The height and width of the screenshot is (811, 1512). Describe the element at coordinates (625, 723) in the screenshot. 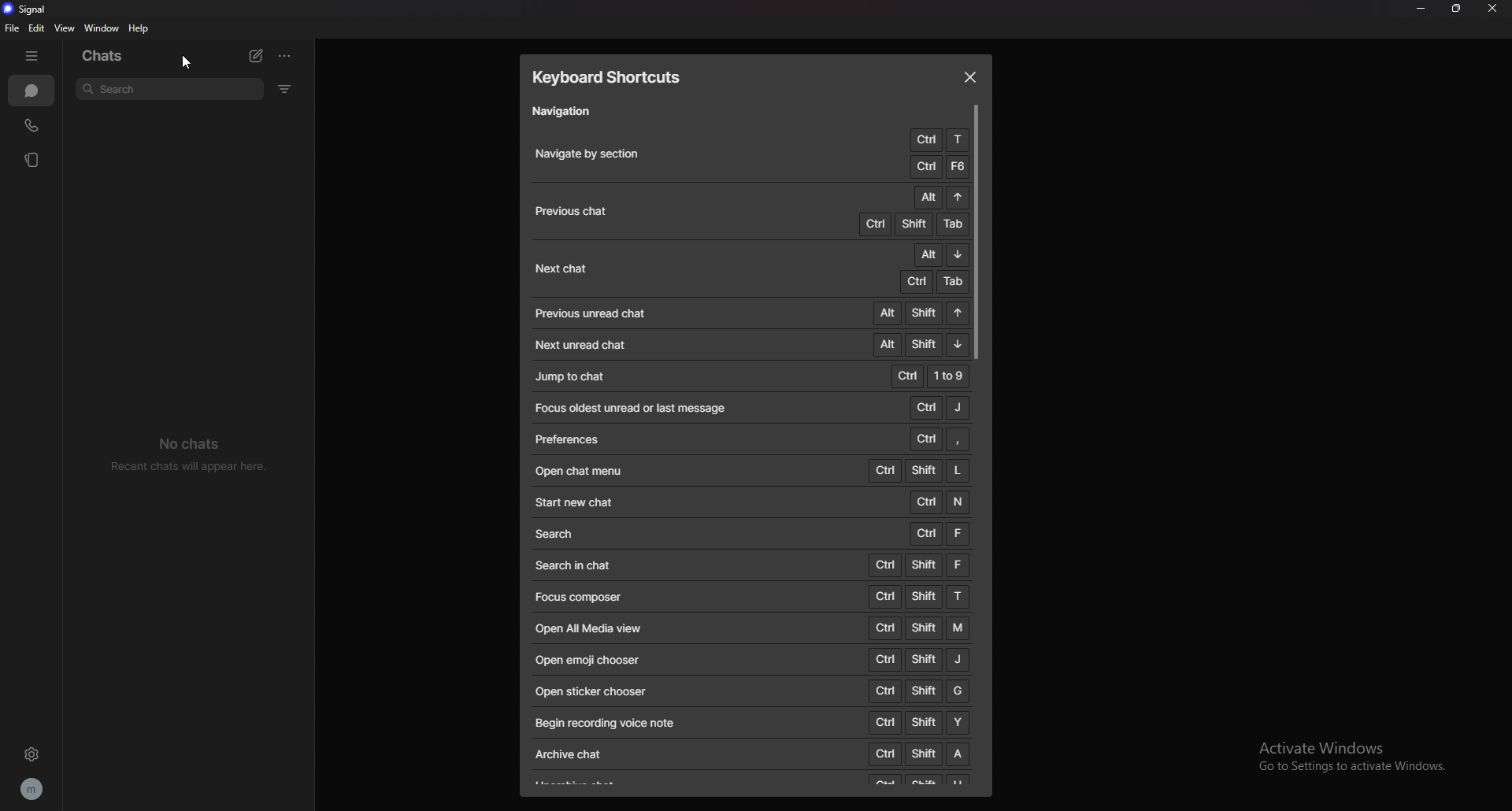

I see `begin recording voice note` at that location.